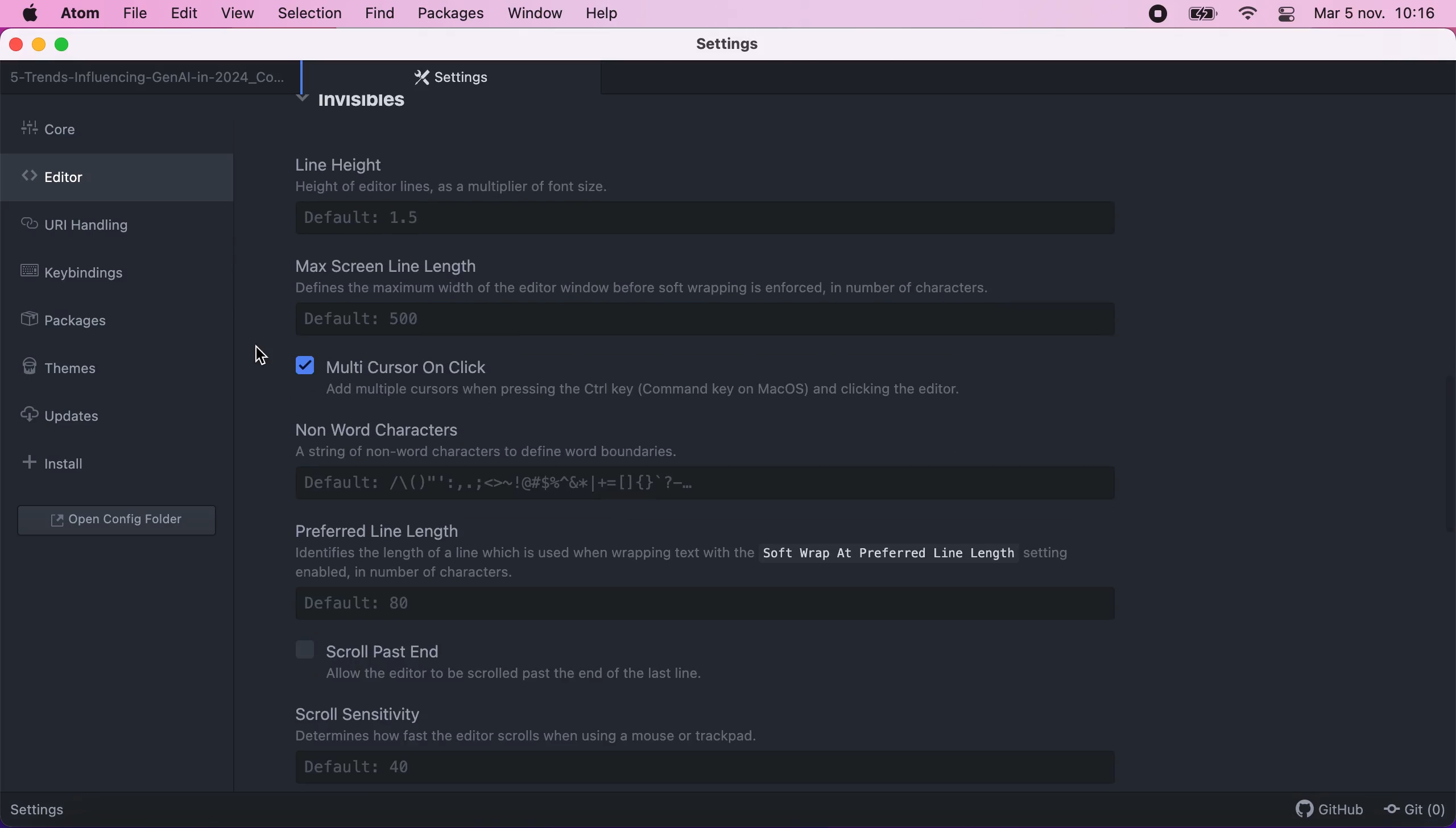 The height and width of the screenshot is (828, 1456). What do you see at coordinates (311, 14) in the screenshot?
I see `selection` at bounding box center [311, 14].